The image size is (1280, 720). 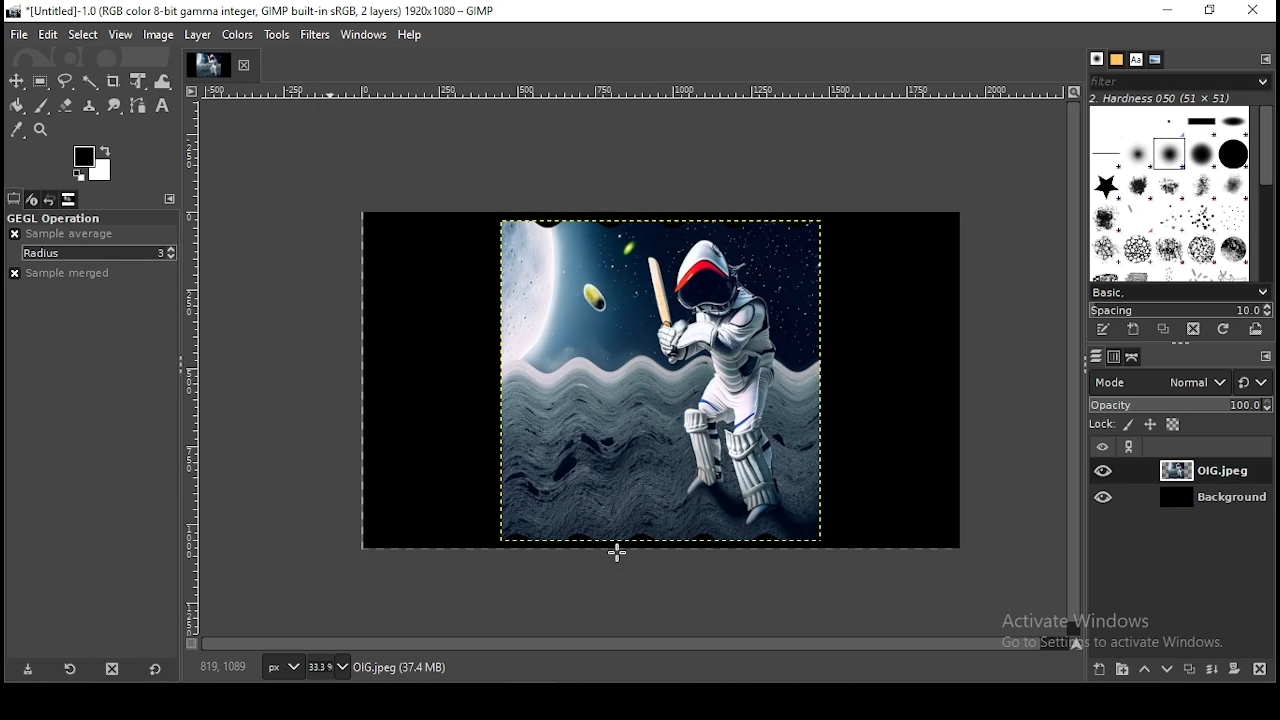 I want to click on move layer up, so click(x=1150, y=670).